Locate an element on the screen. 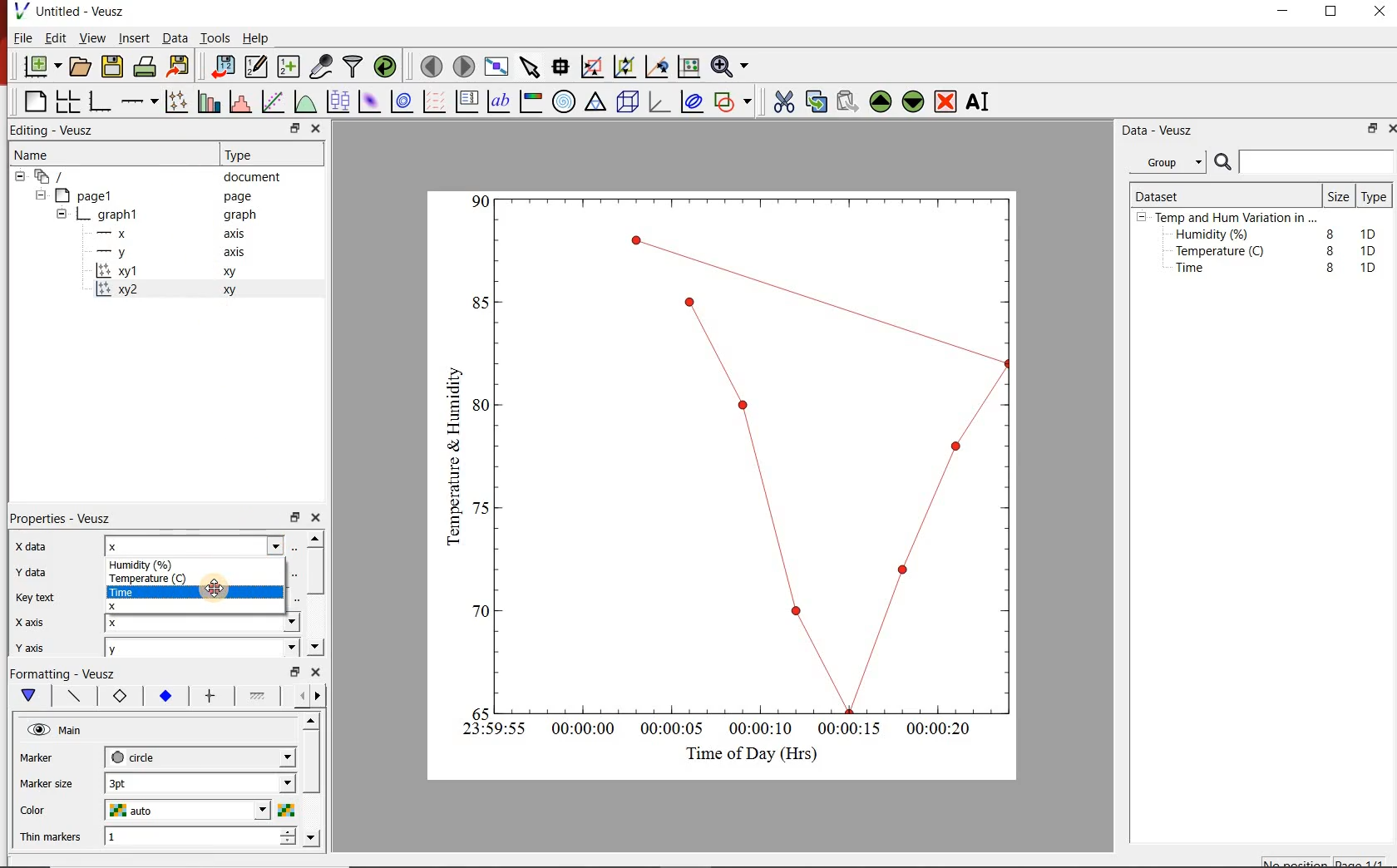  0.6 is located at coordinates (481, 409).